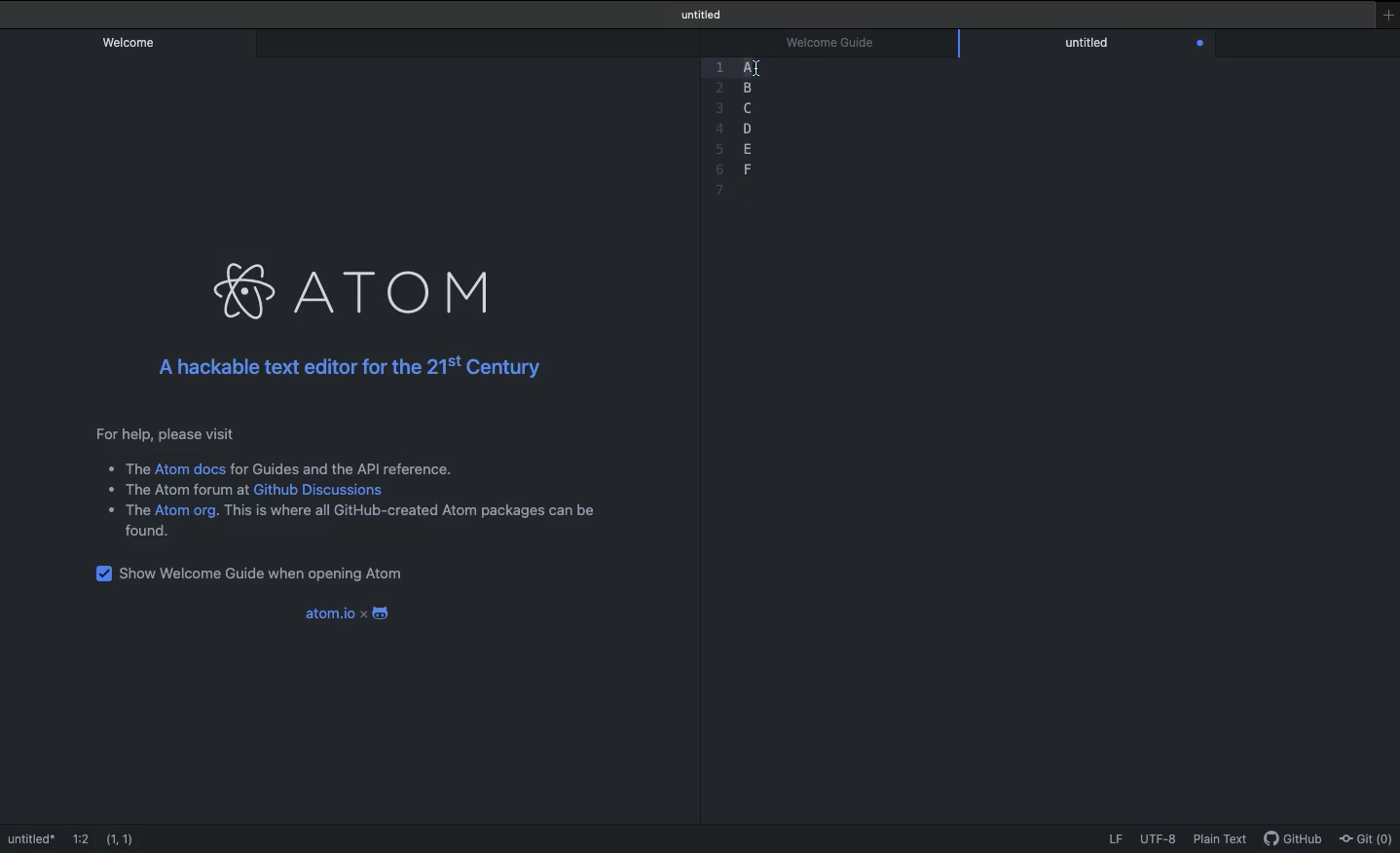 This screenshot has width=1400, height=853. What do you see at coordinates (751, 106) in the screenshot?
I see `c` at bounding box center [751, 106].